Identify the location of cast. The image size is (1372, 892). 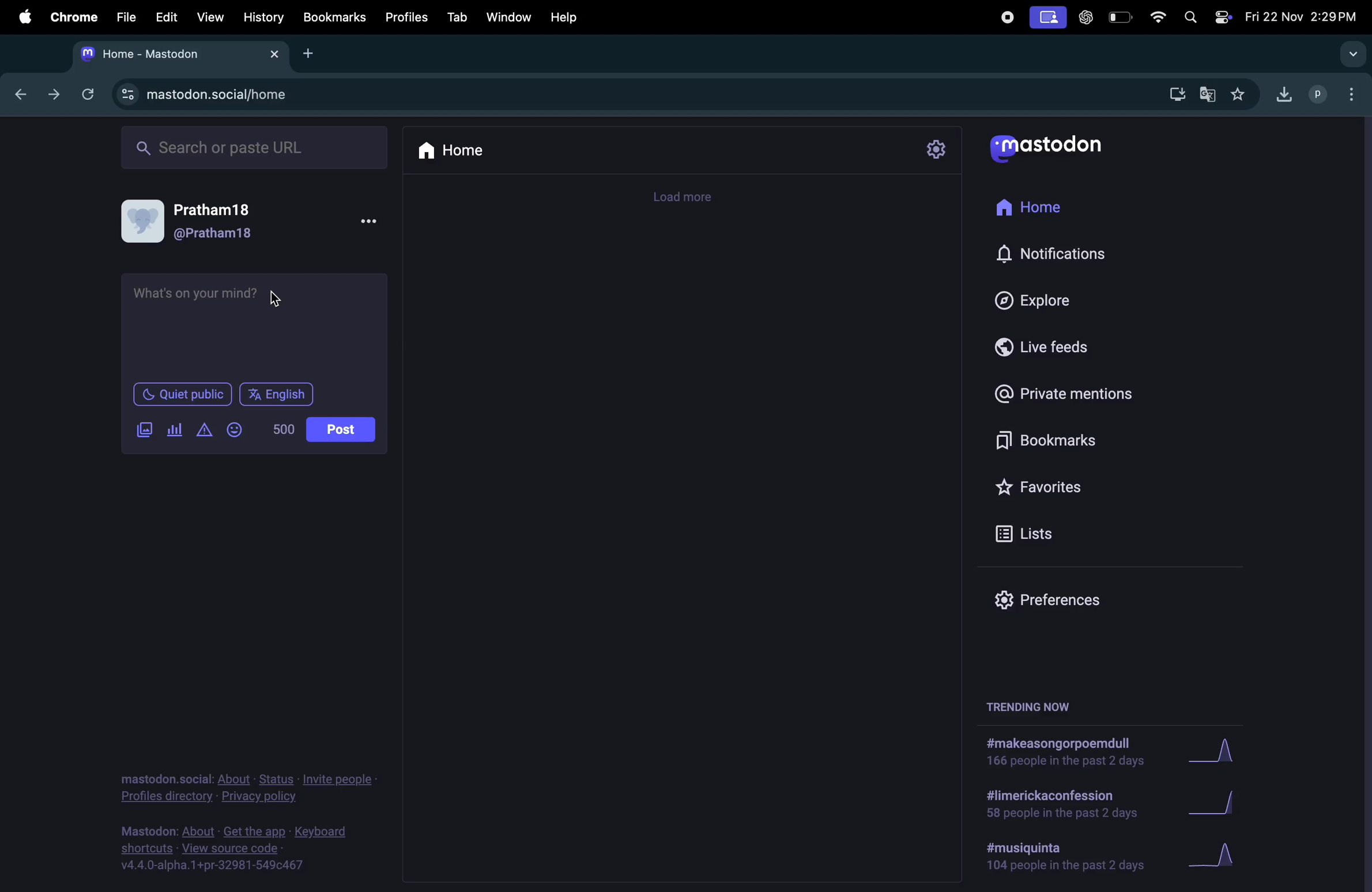
(1047, 18).